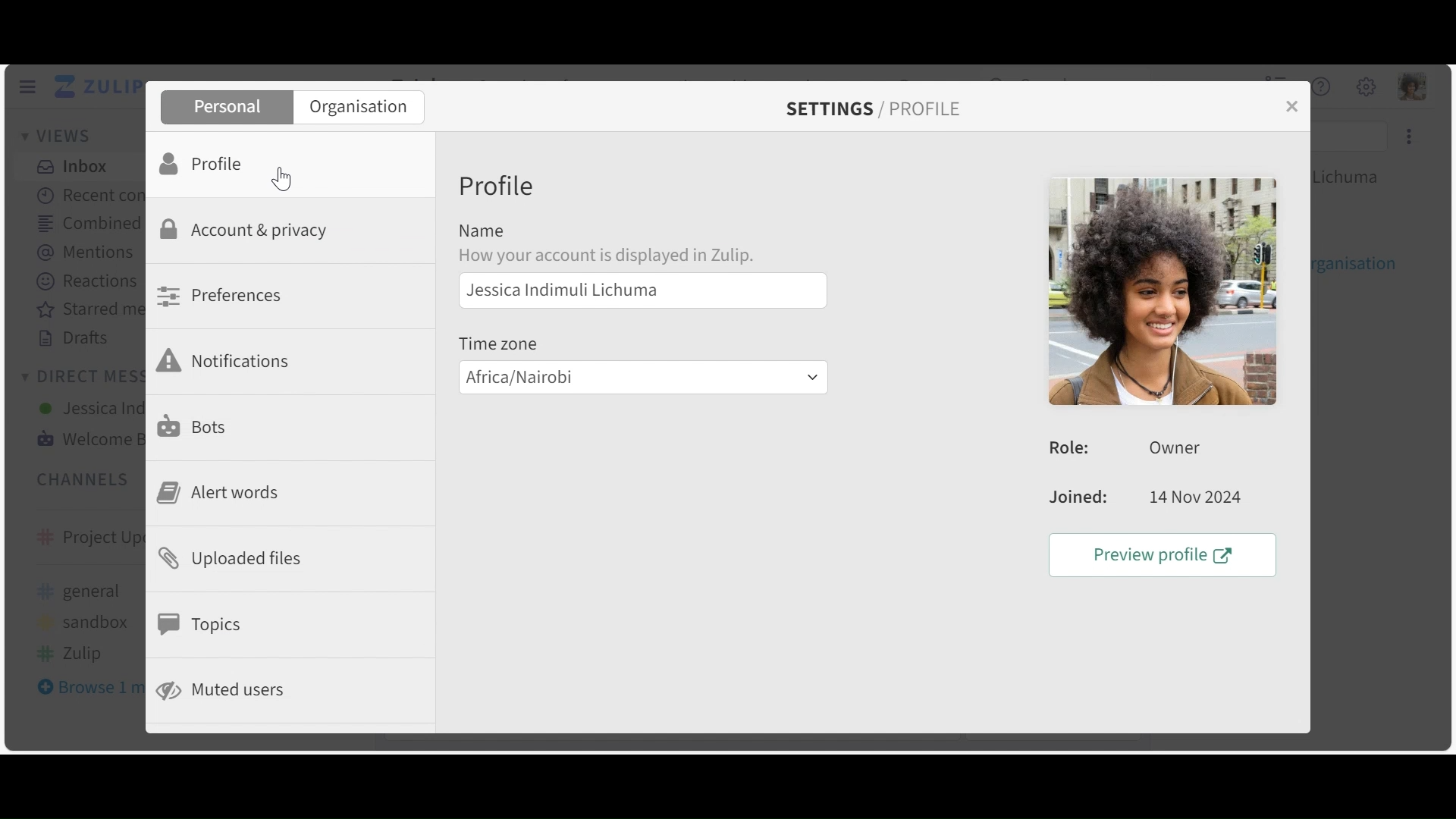 Image resolution: width=1456 pixels, height=819 pixels. Describe the element at coordinates (629, 256) in the screenshot. I see `text` at that location.